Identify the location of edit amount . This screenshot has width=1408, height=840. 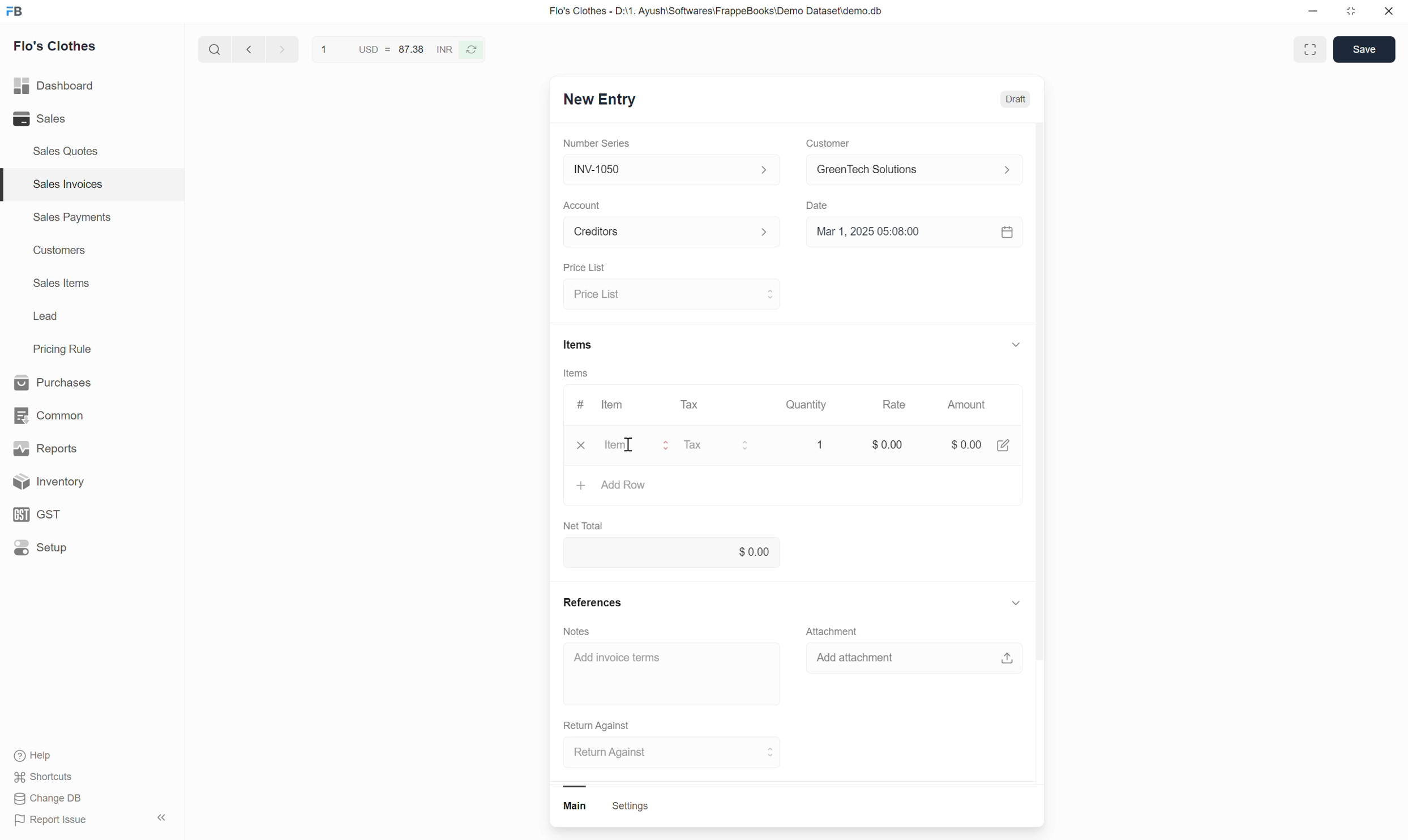
(1006, 446).